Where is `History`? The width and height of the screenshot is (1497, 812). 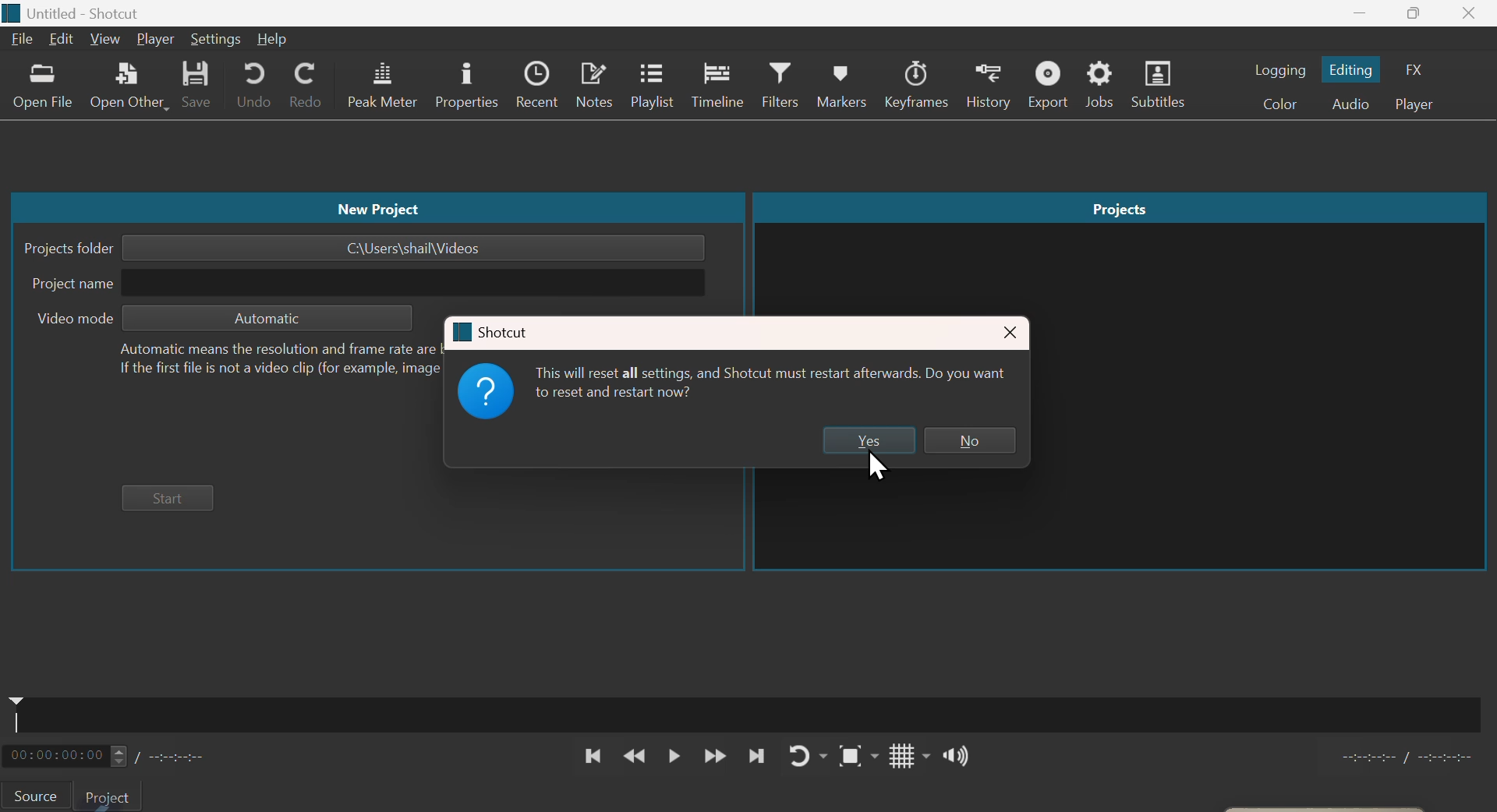
History is located at coordinates (989, 85).